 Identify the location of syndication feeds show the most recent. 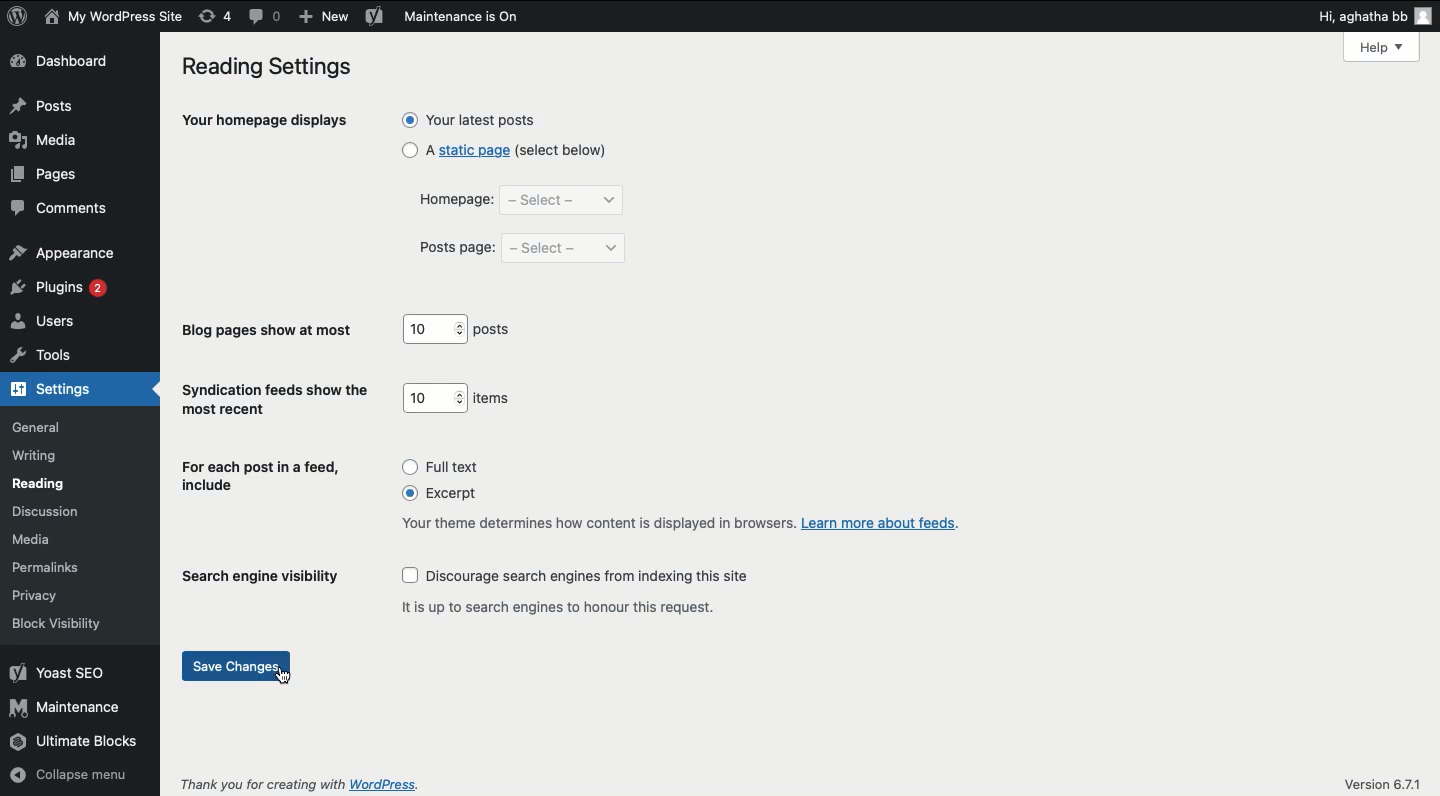
(278, 400).